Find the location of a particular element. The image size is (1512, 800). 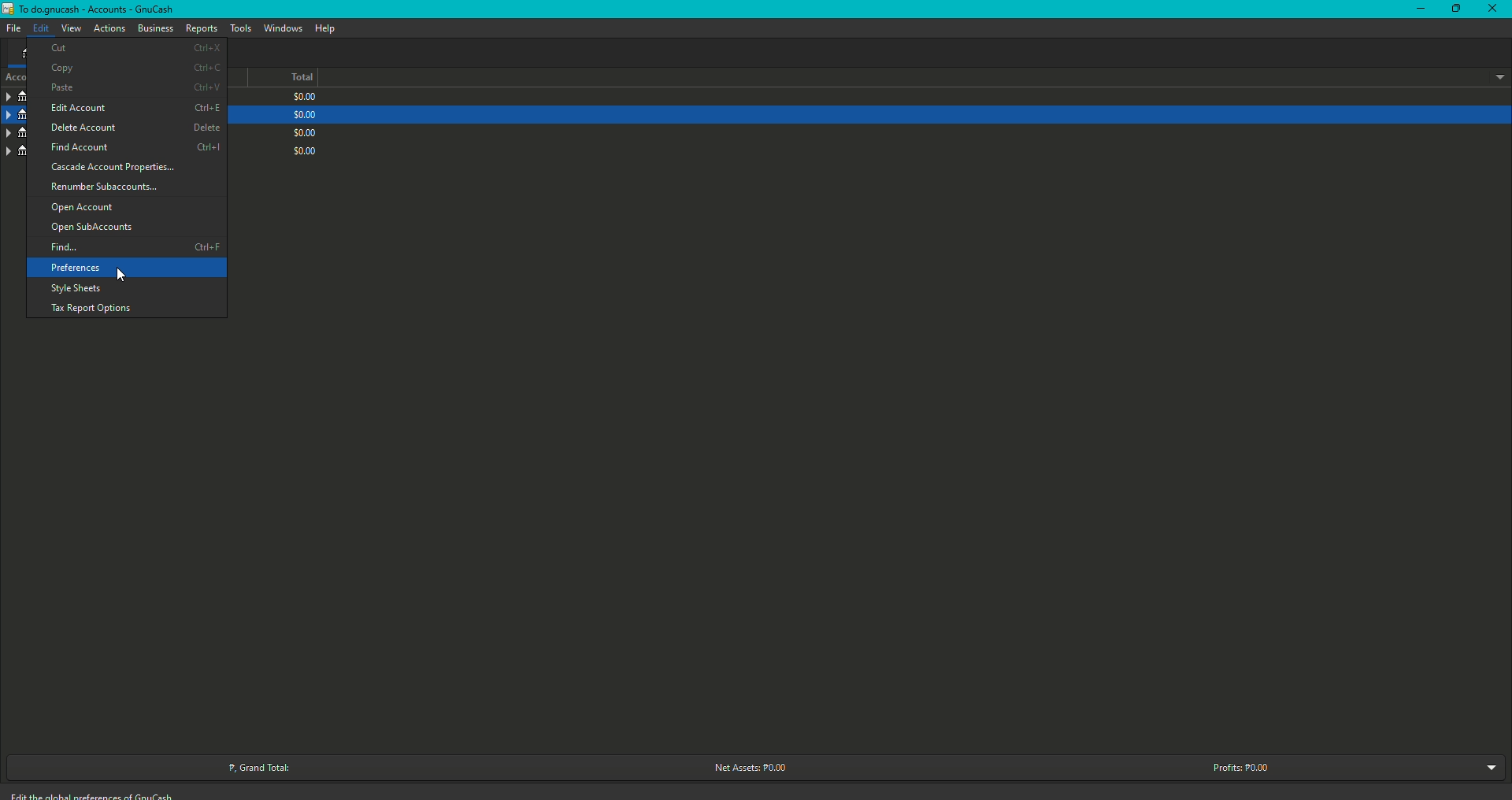

Delete Account is located at coordinates (134, 128).